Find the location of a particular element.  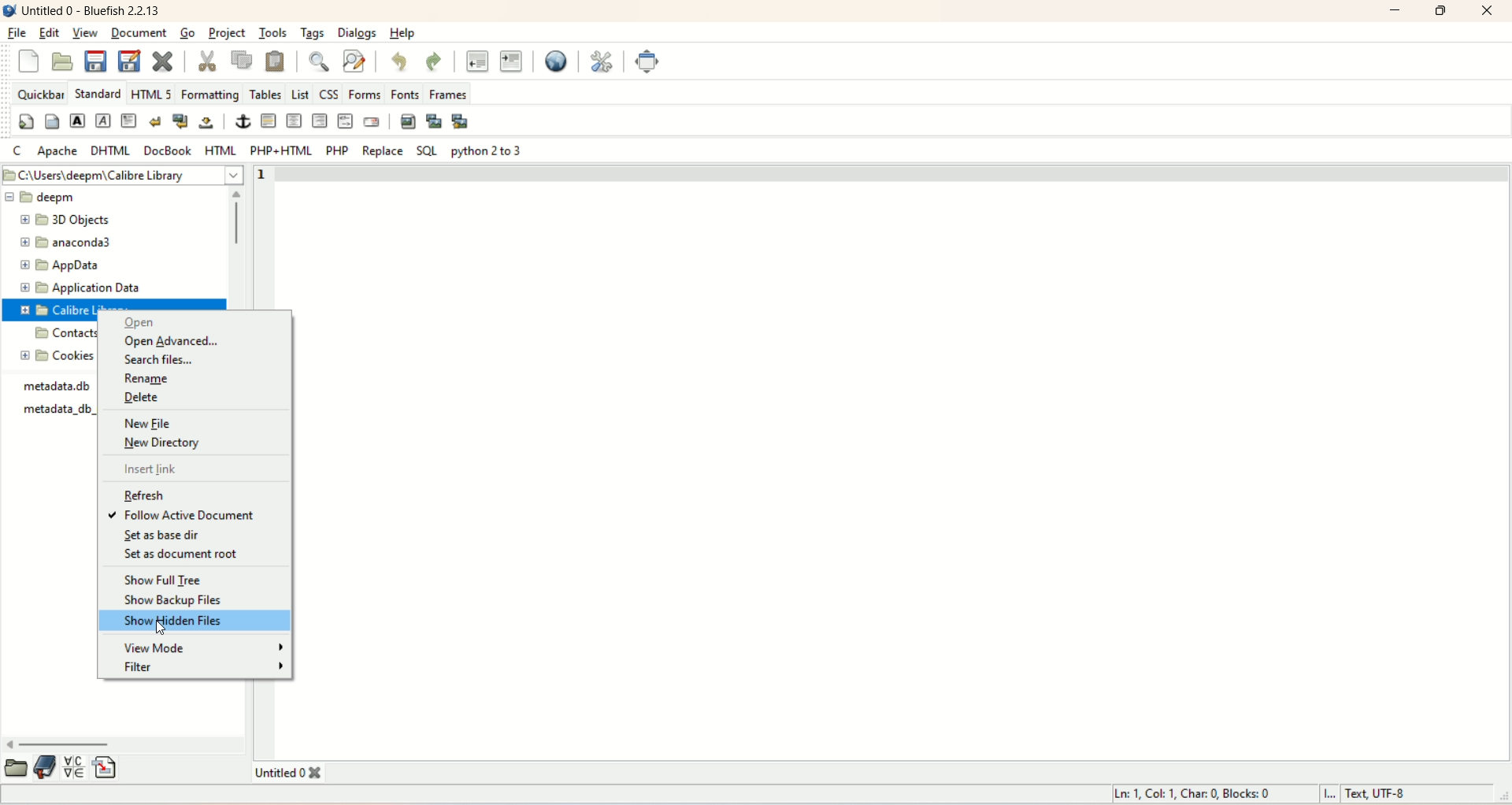

text is located at coordinates (62, 403).